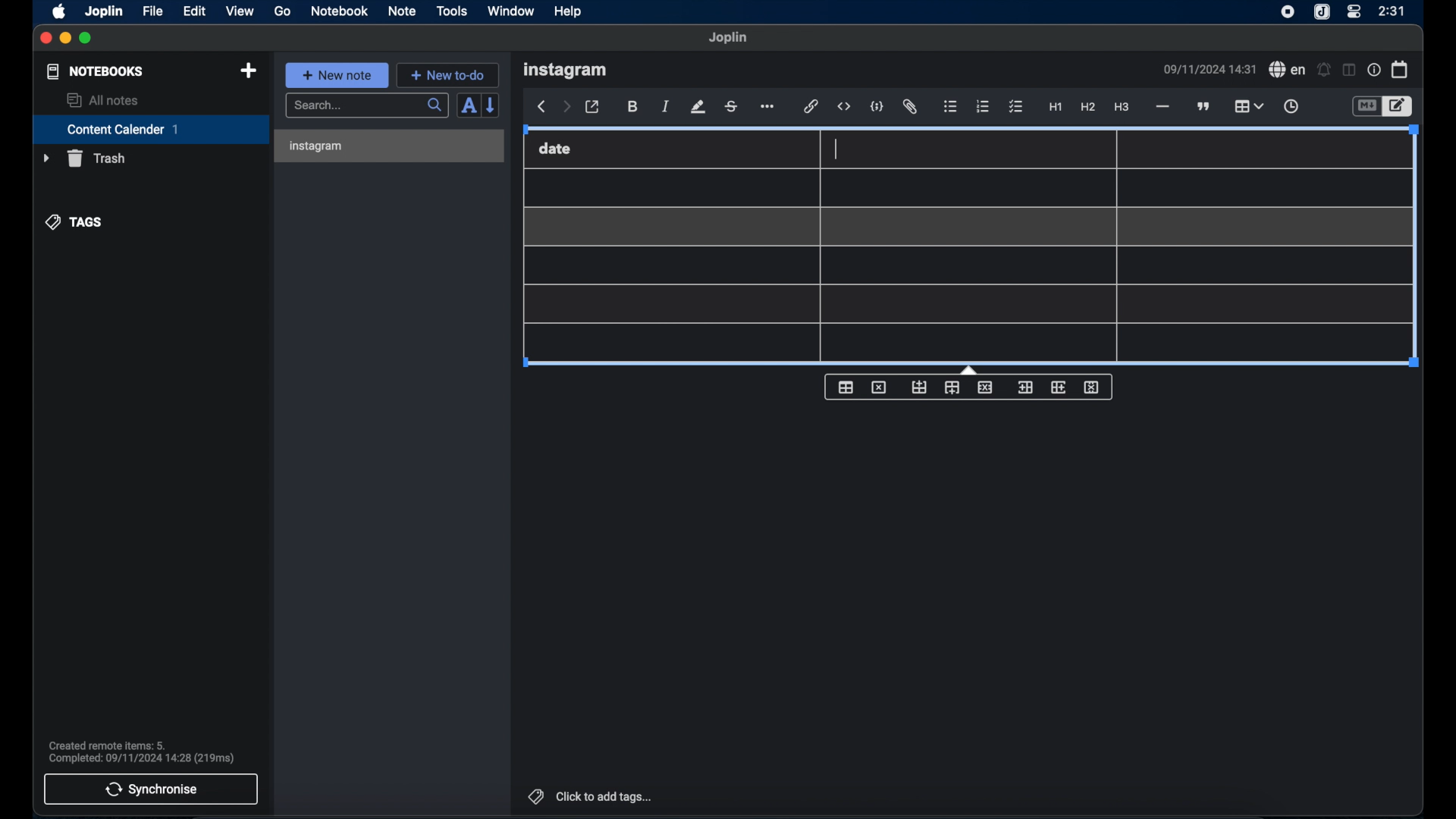 The height and width of the screenshot is (819, 1456). What do you see at coordinates (337, 75) in the screenshot?
I see `new note` at bounding box center [337, 75].